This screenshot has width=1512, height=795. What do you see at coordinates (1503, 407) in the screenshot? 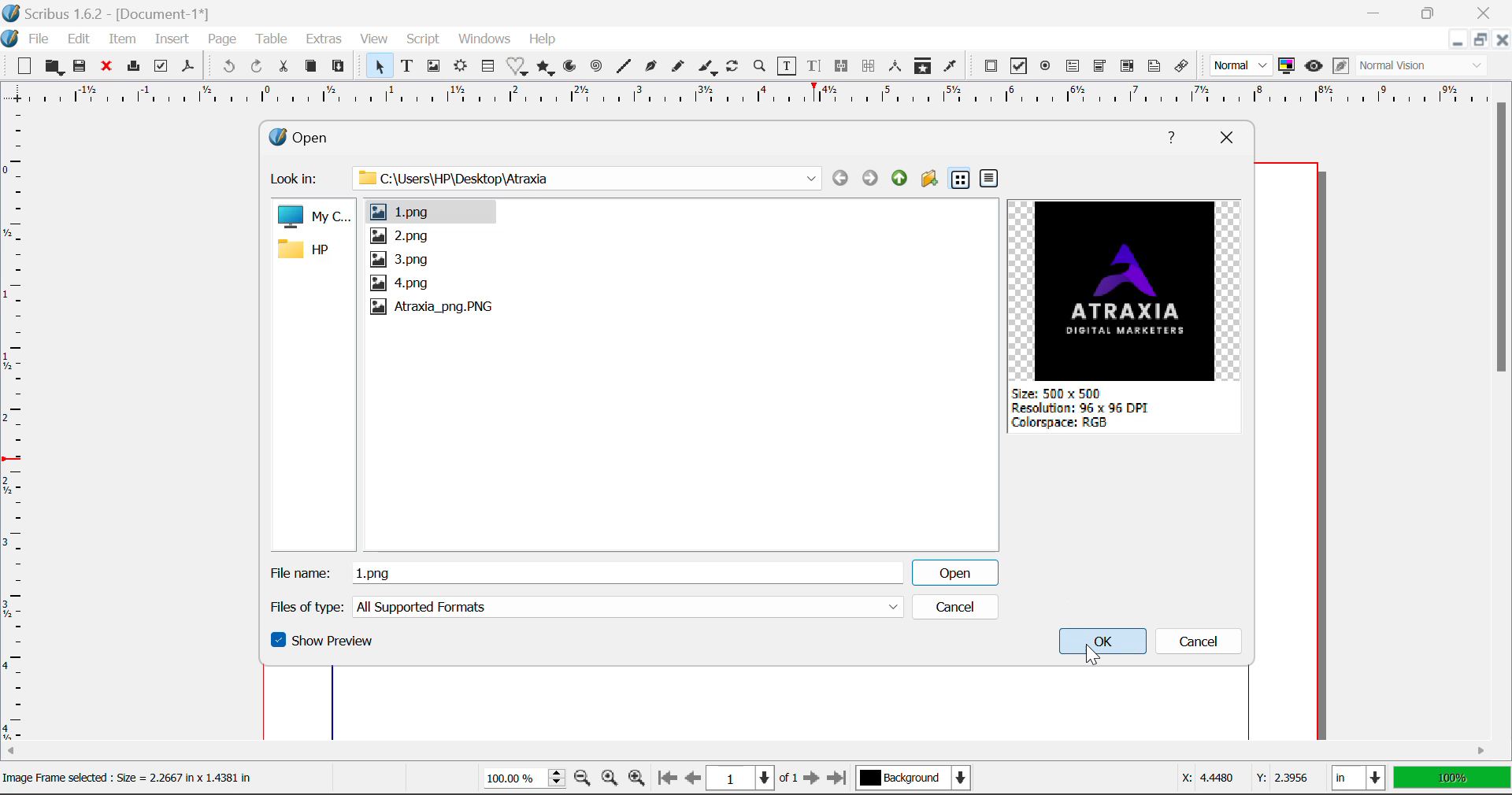
I see `Scroll Bar` at bounding box center [1503, 407].